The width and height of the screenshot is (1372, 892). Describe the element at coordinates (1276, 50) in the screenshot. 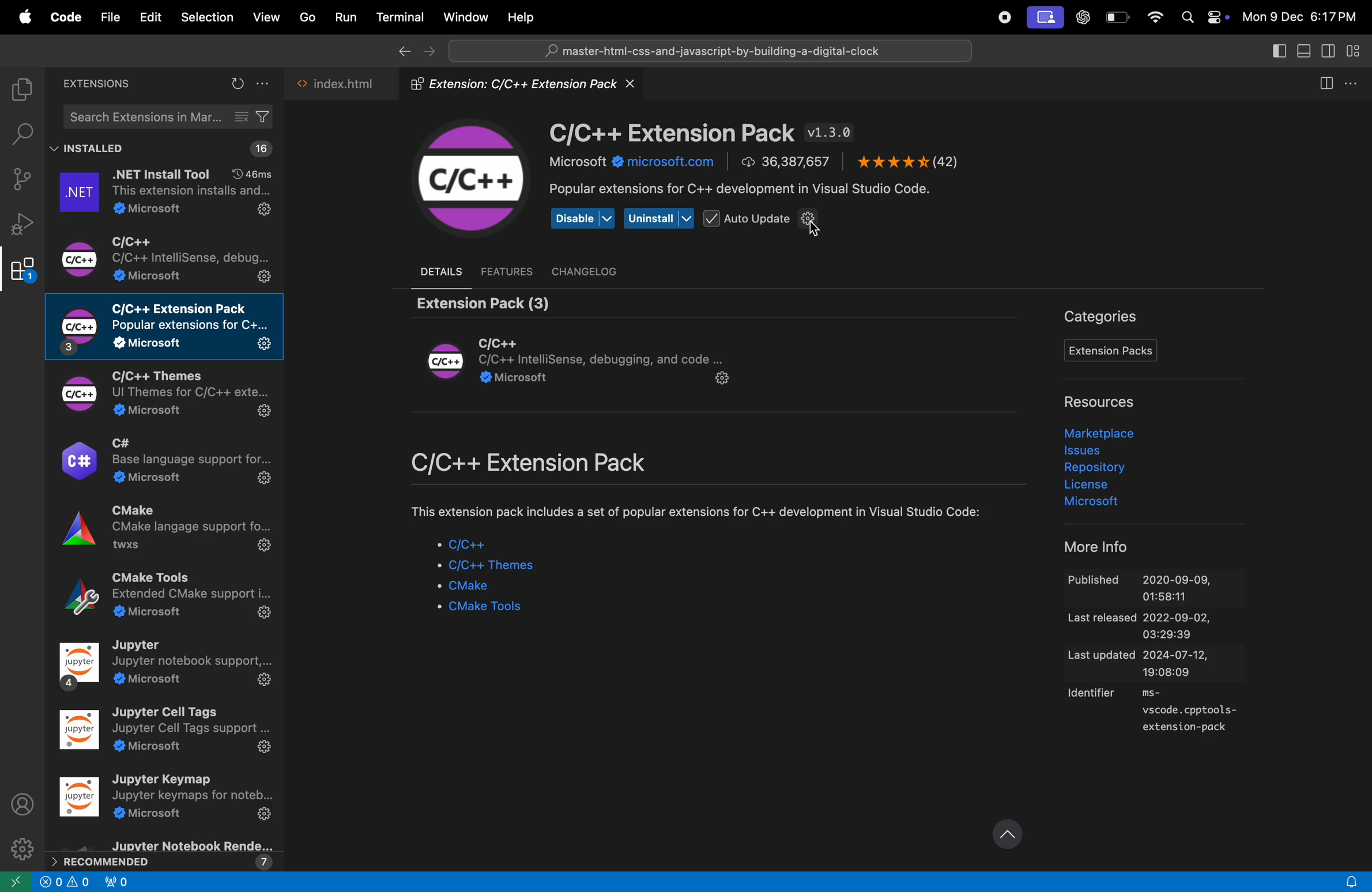

I see `toggle secondary side bar` at that location.